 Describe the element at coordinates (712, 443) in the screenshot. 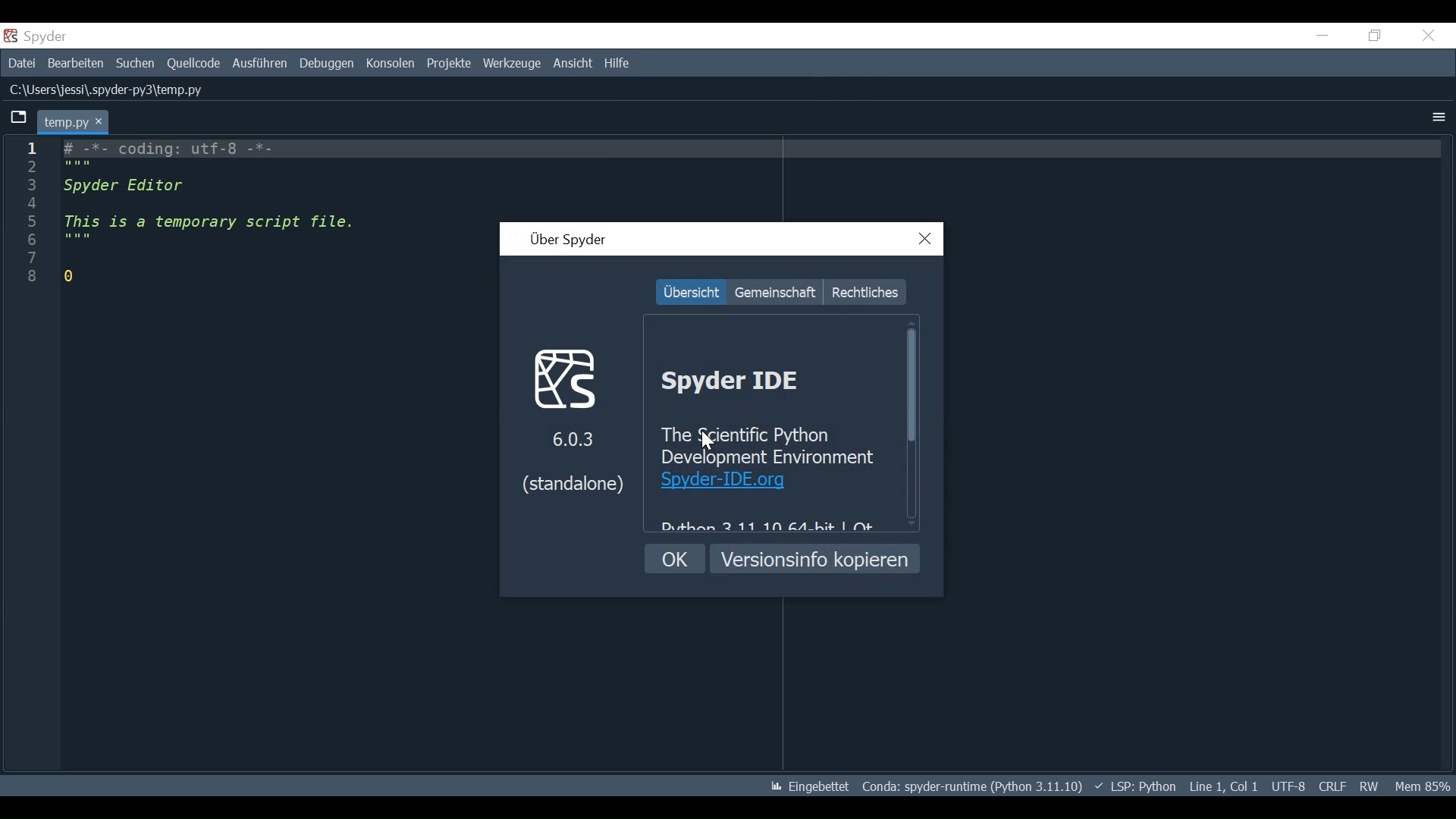

I see `Cursor` at that location.